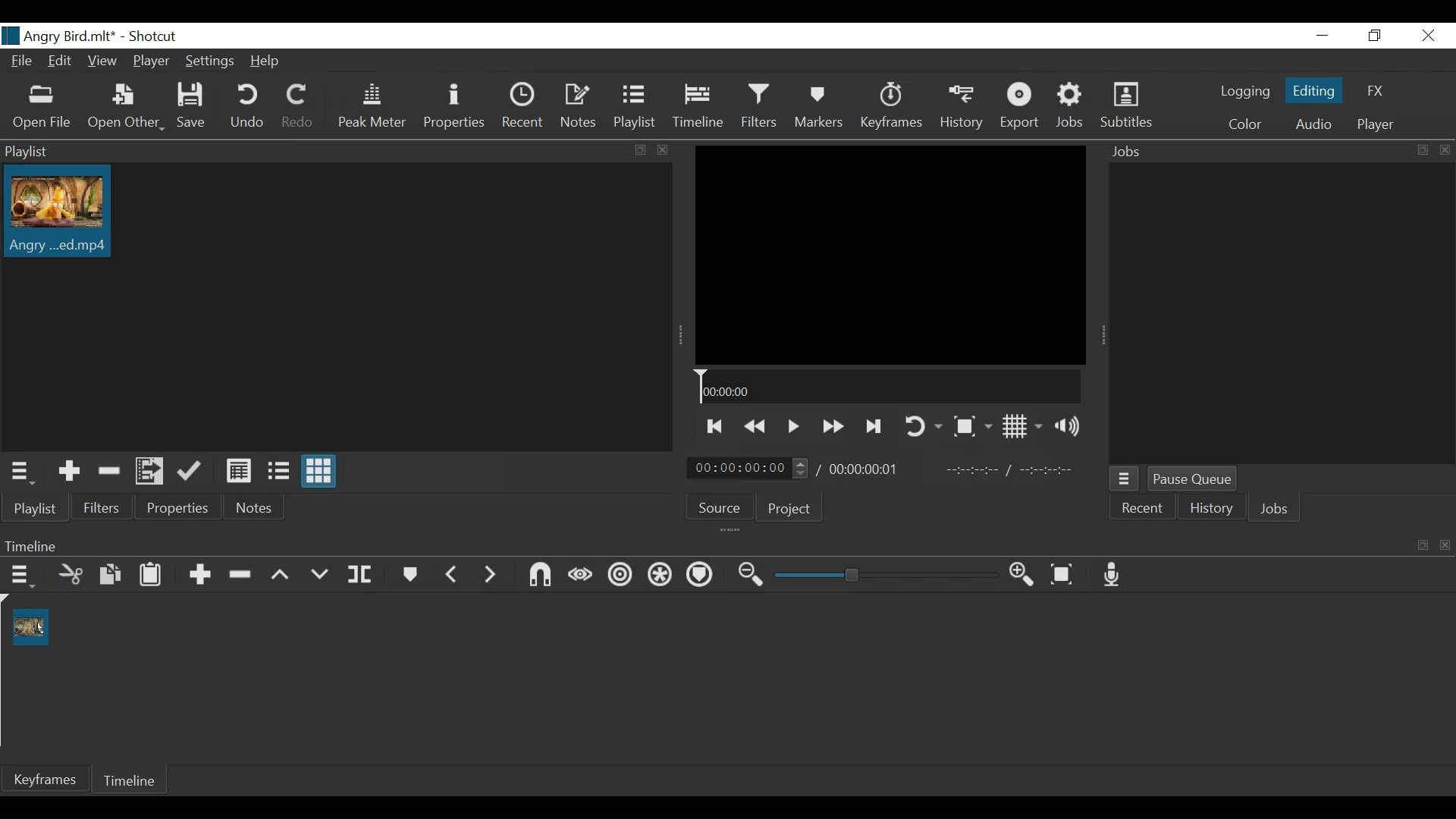  I want to click on Redo, so click(300, 106).